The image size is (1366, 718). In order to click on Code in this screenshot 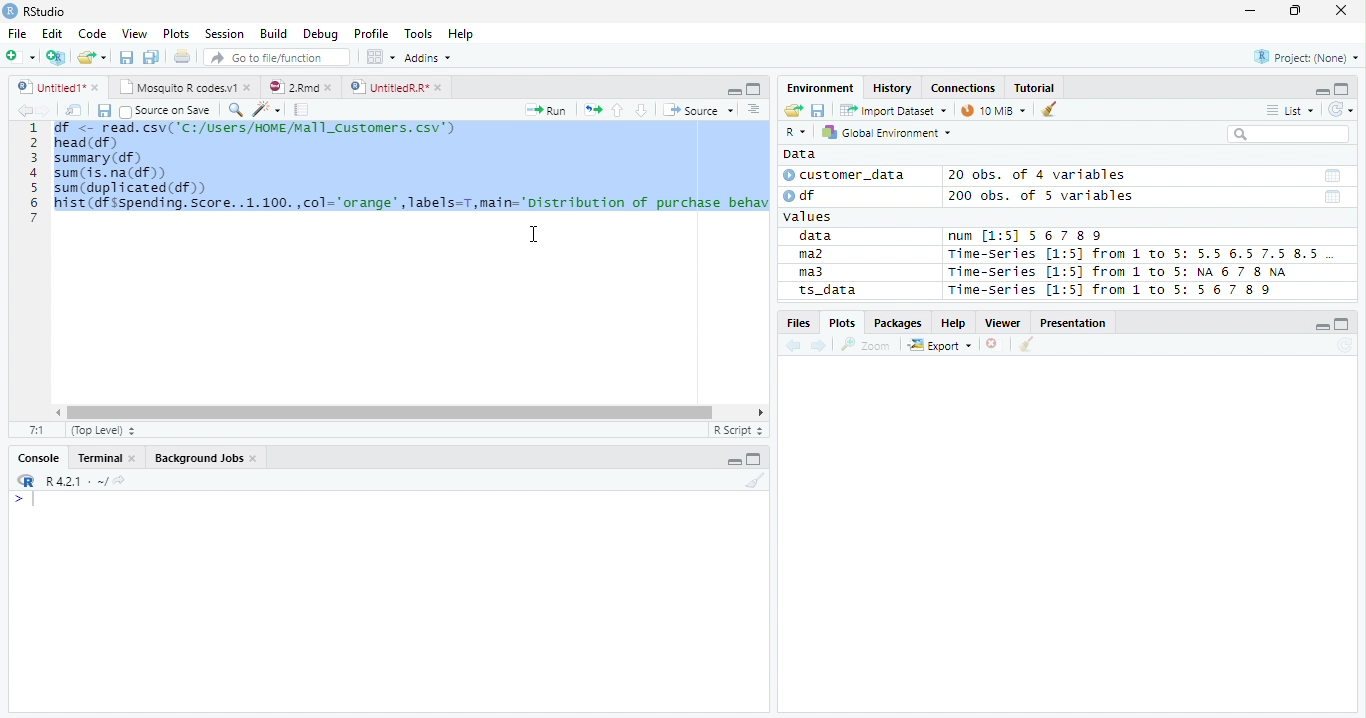, I will do `click(94, 34)`.